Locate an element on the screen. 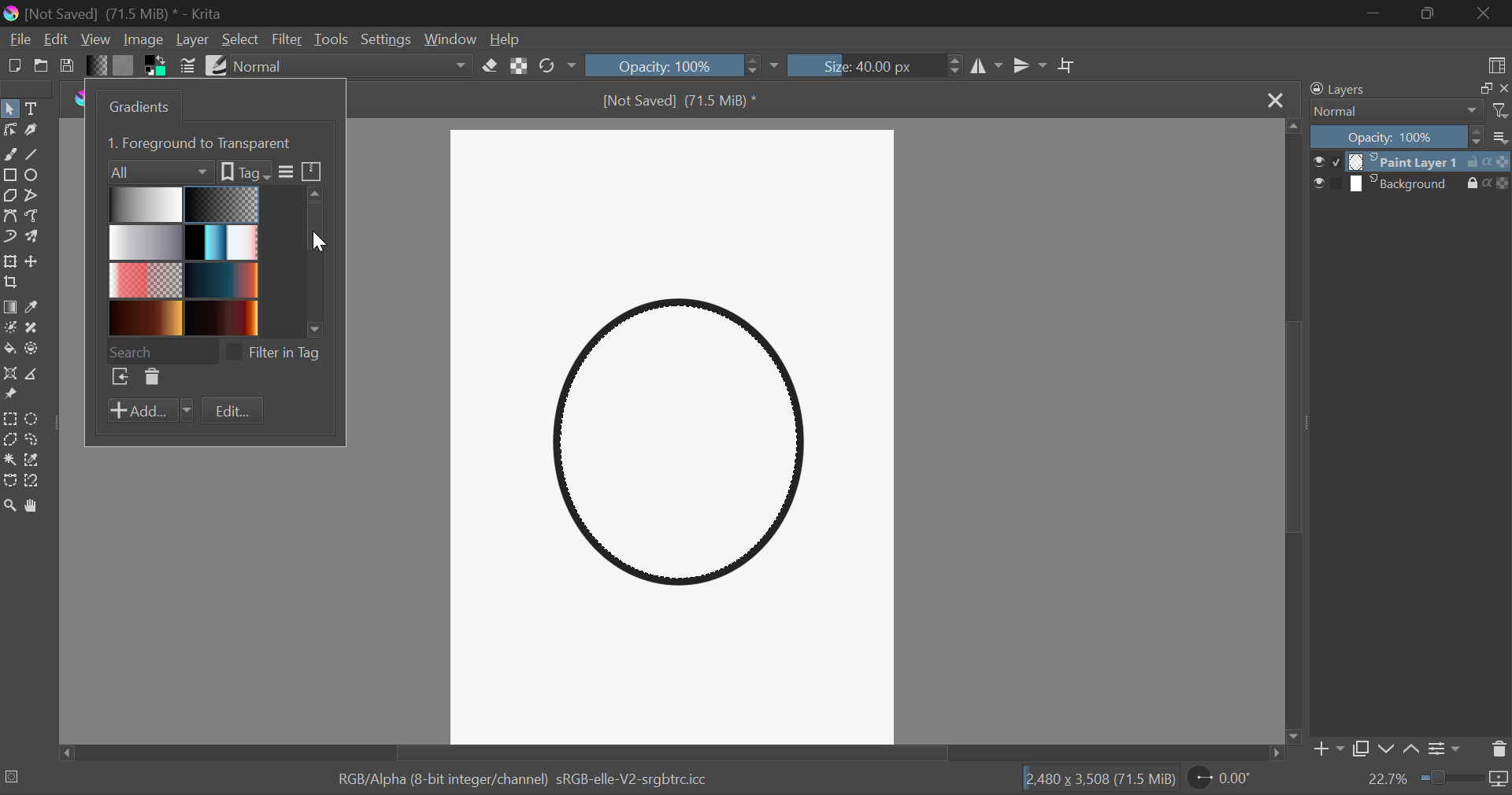 This screenshot has height=795, width=1512. zoom slider is located at coordinates (1453, 776).